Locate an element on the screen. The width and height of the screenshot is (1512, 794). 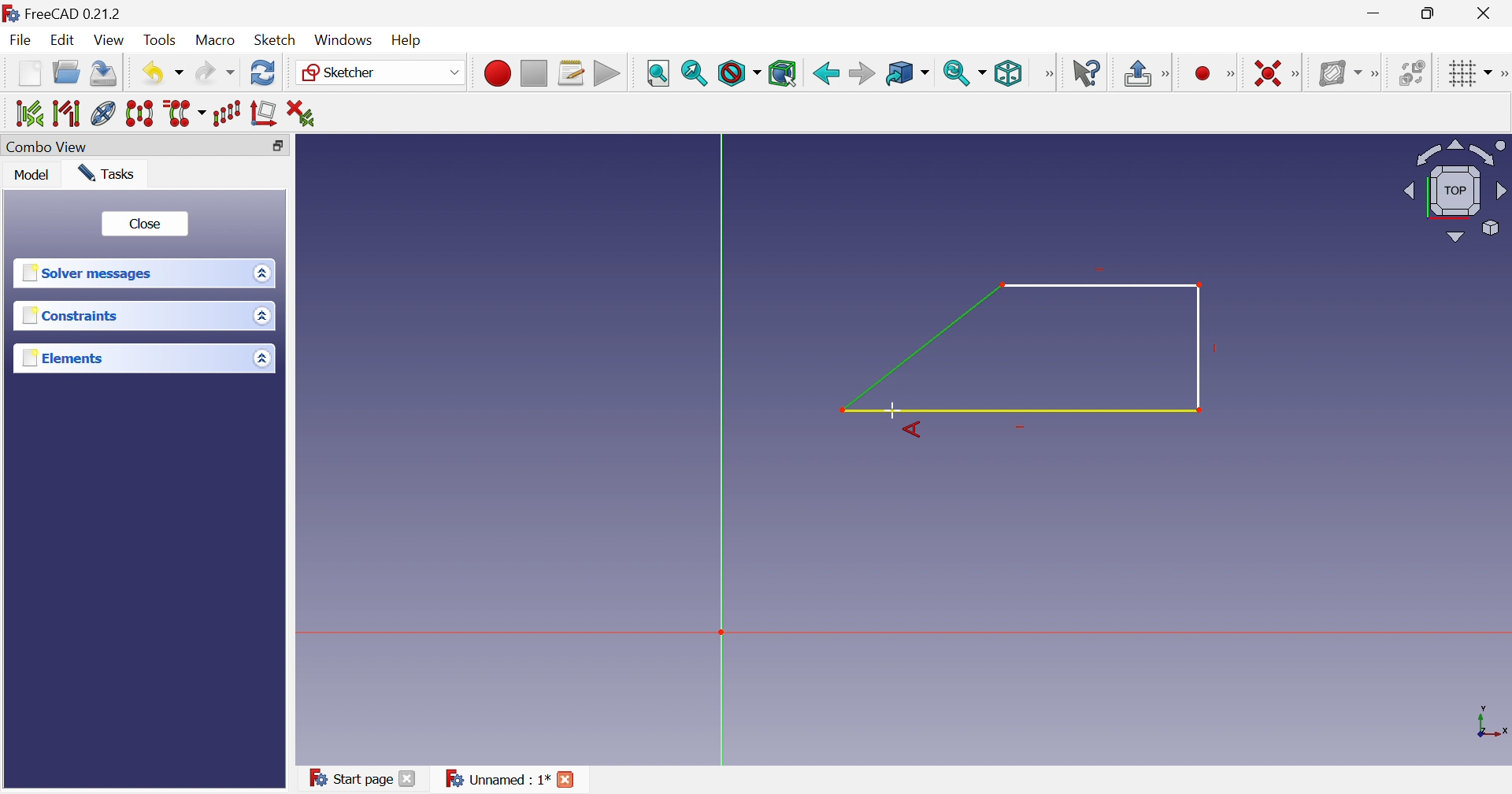
Constraints is located at coordinates (70, 316).